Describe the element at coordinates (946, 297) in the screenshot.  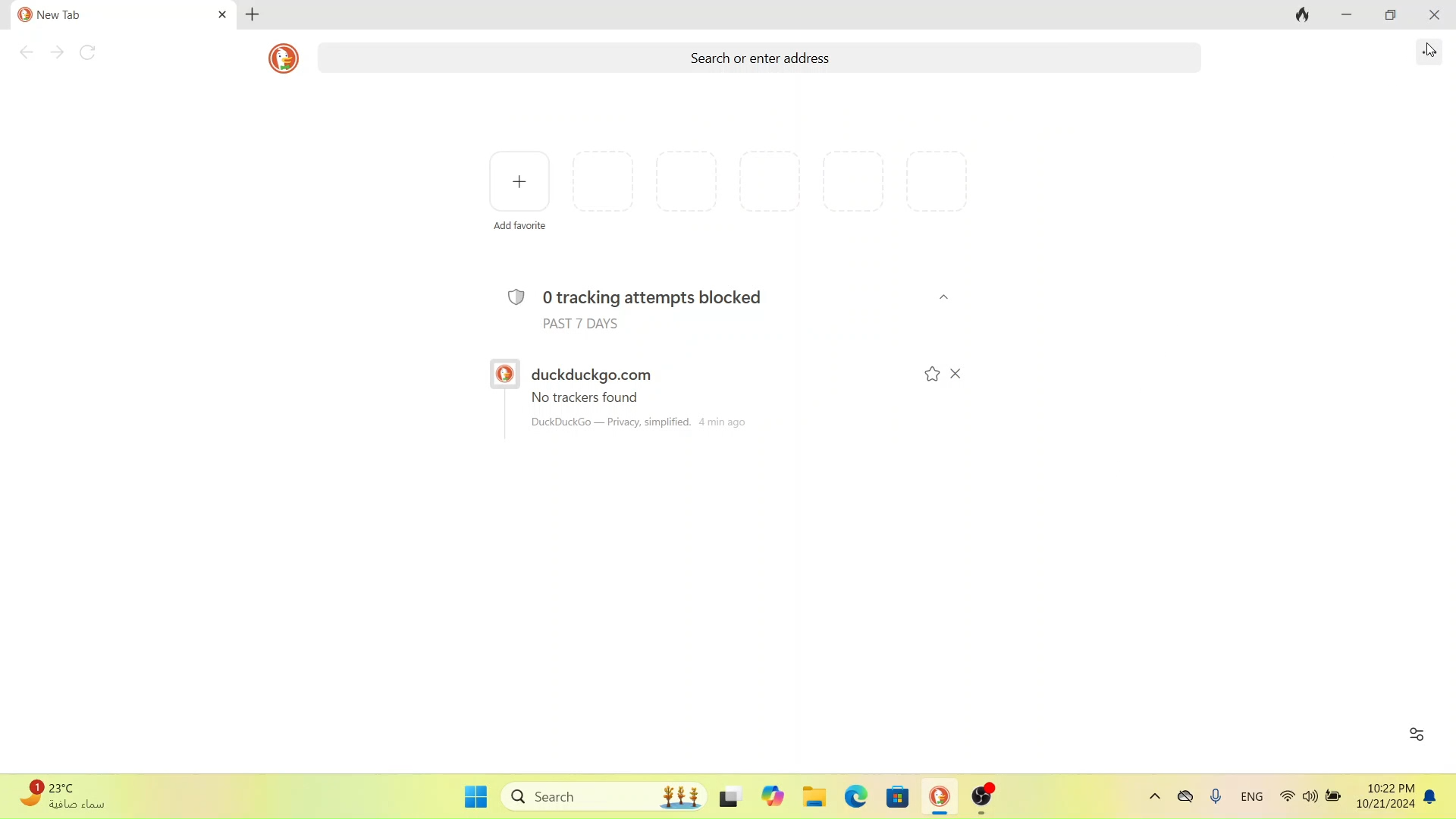
I see `close` at that location.